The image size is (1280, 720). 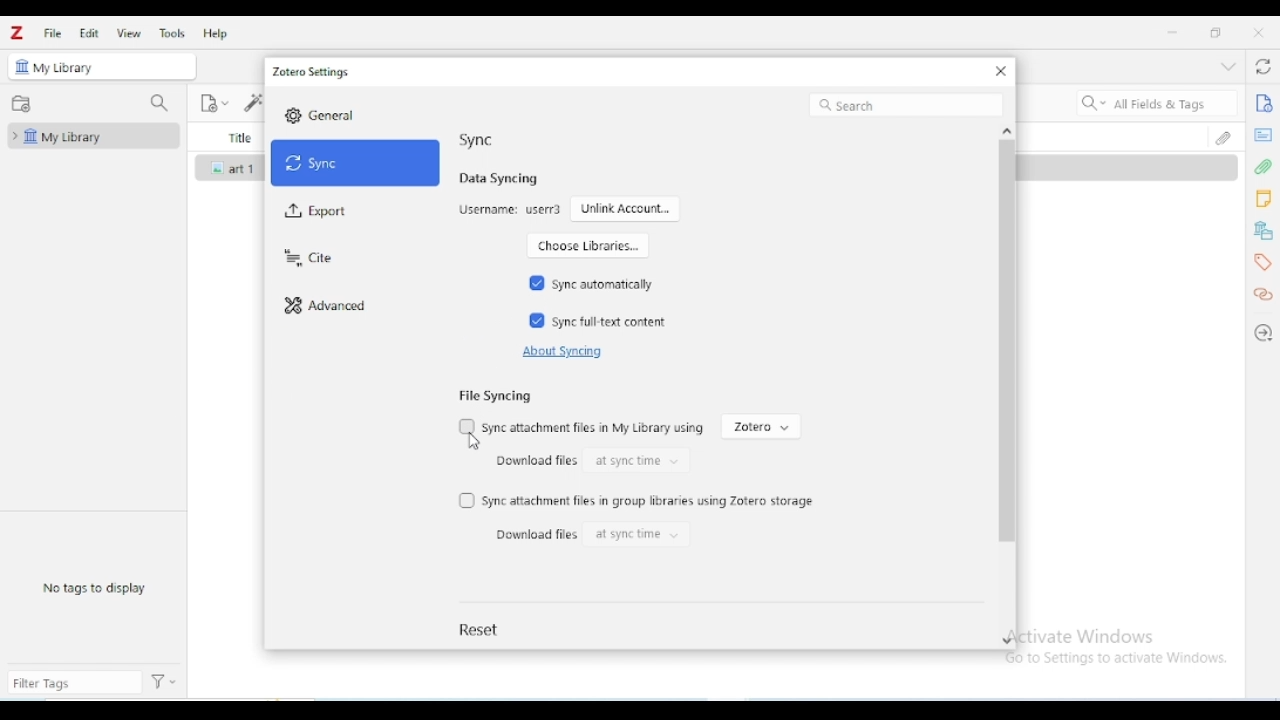 I want to click on at sync time, so click(x=637, y=460).